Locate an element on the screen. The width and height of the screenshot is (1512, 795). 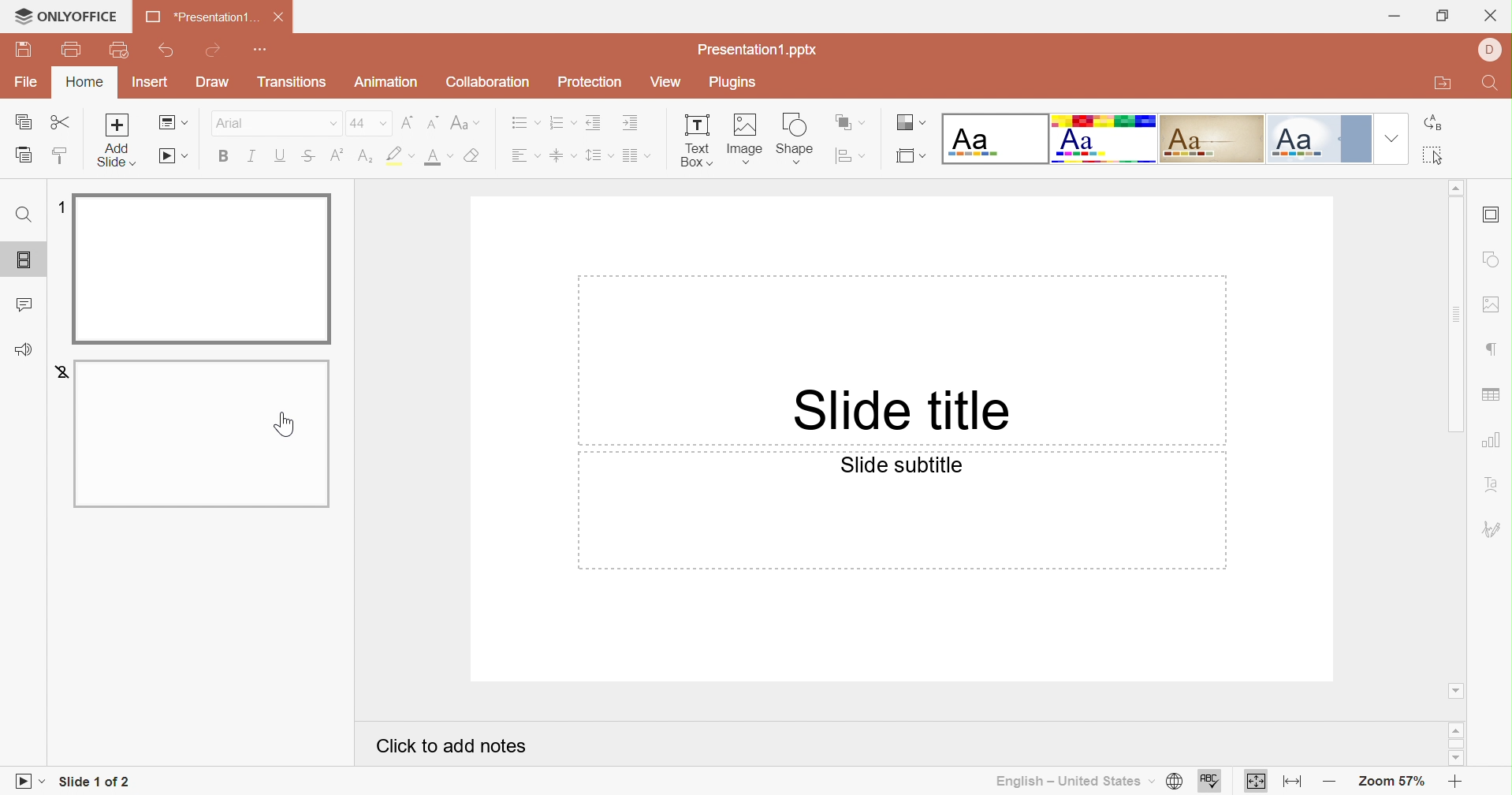
Select slide size is located at coordinates (912, 158).